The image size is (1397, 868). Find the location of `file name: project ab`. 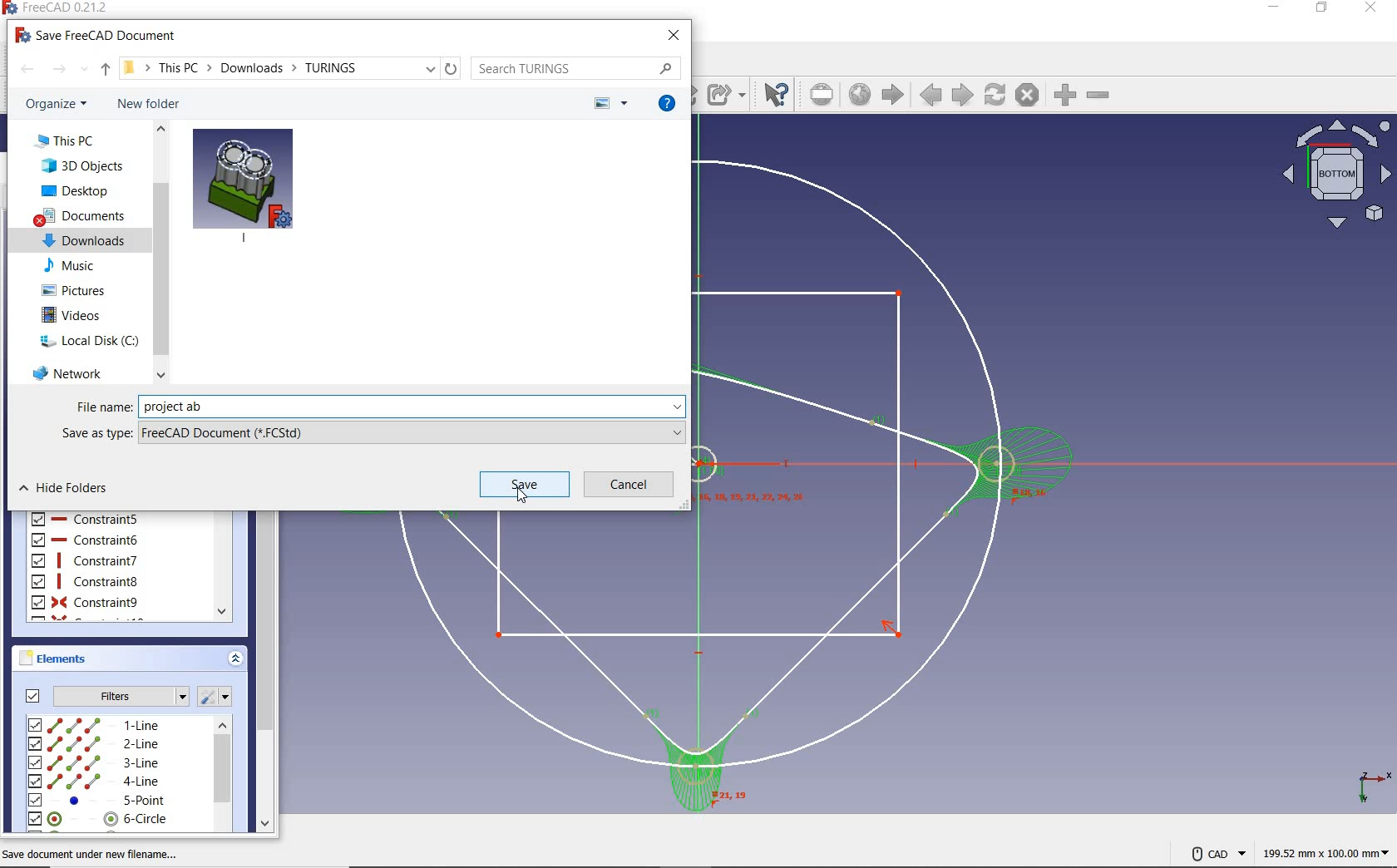

file name: project ab is located at coordinates (373, 406).